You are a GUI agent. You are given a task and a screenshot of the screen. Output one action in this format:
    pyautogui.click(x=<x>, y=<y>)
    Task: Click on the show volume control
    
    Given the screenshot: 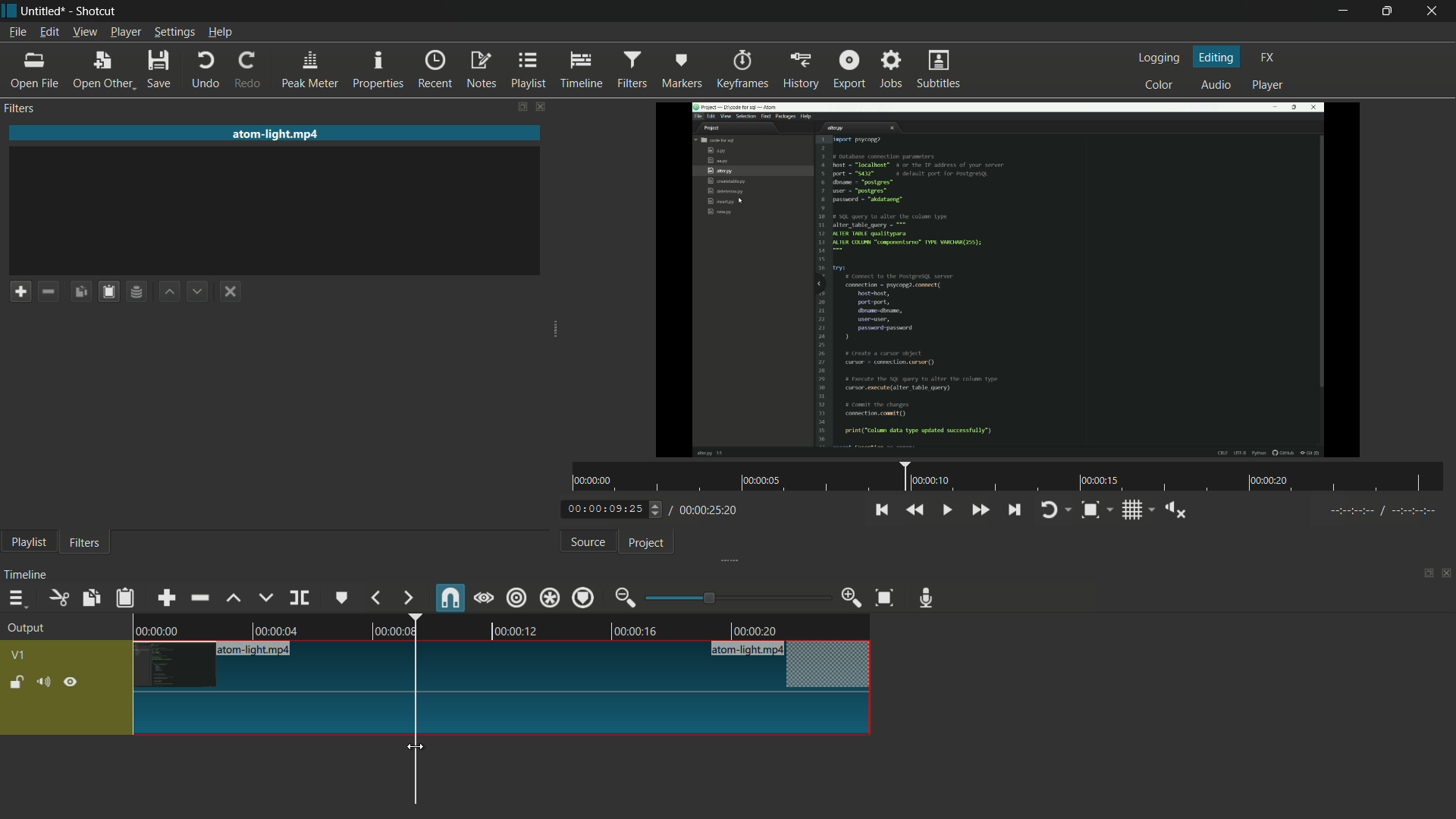 What is the action you would take?
    pyautogui.click(x=1175, y=509)
    